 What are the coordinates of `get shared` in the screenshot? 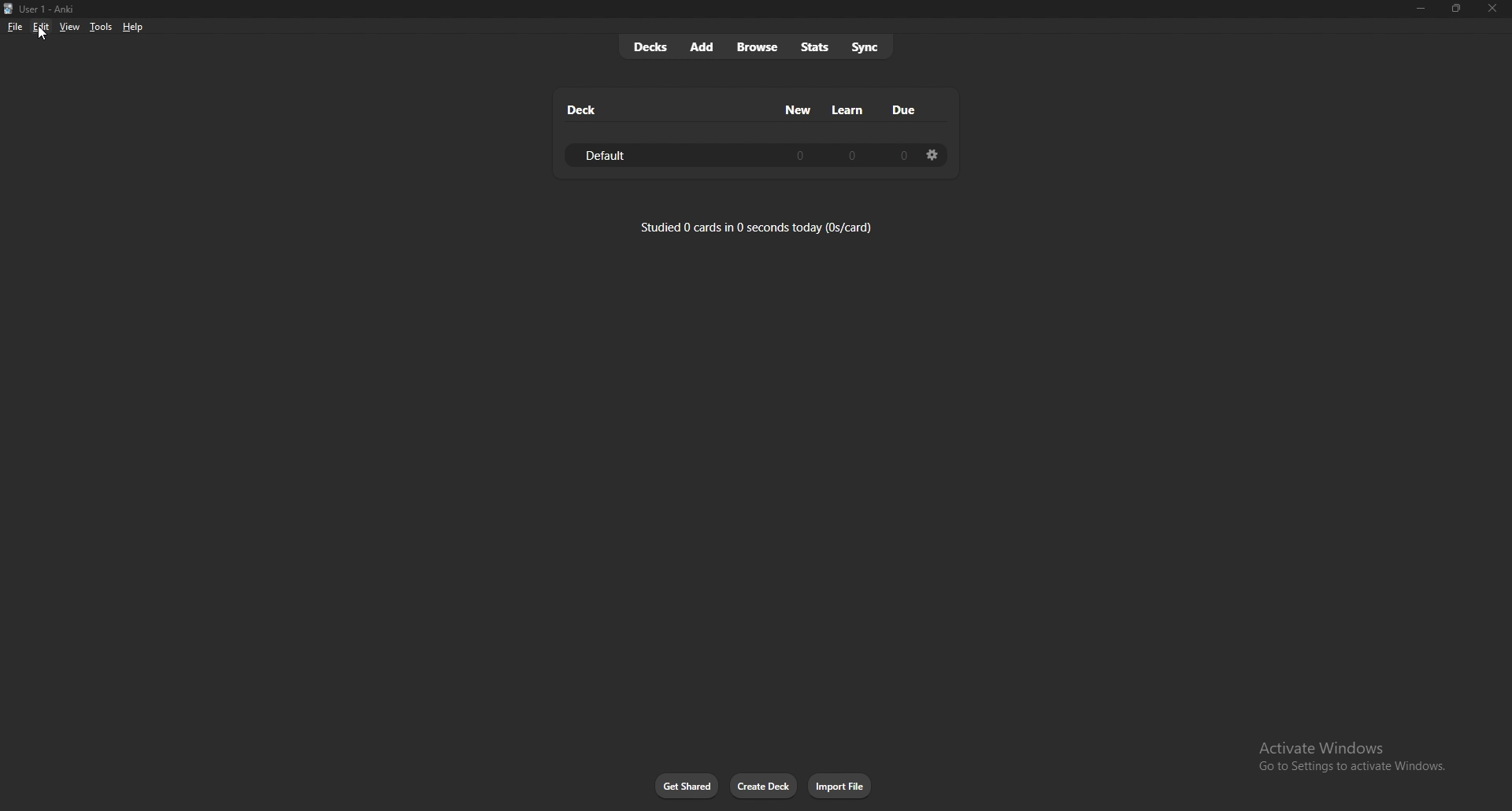 It's located at (687, 786).